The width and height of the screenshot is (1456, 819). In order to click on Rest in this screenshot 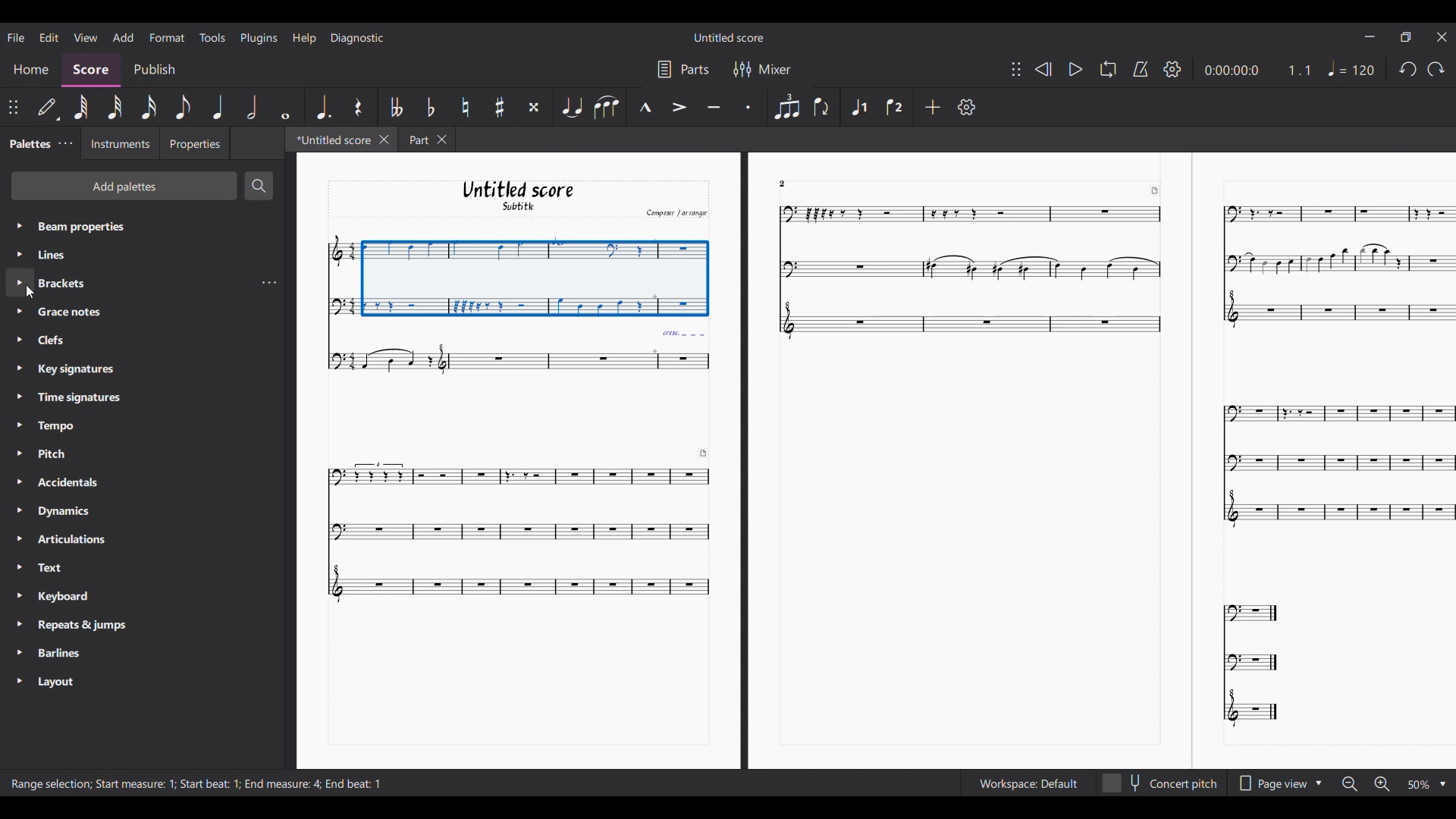, I will do `click(358, 106)`.